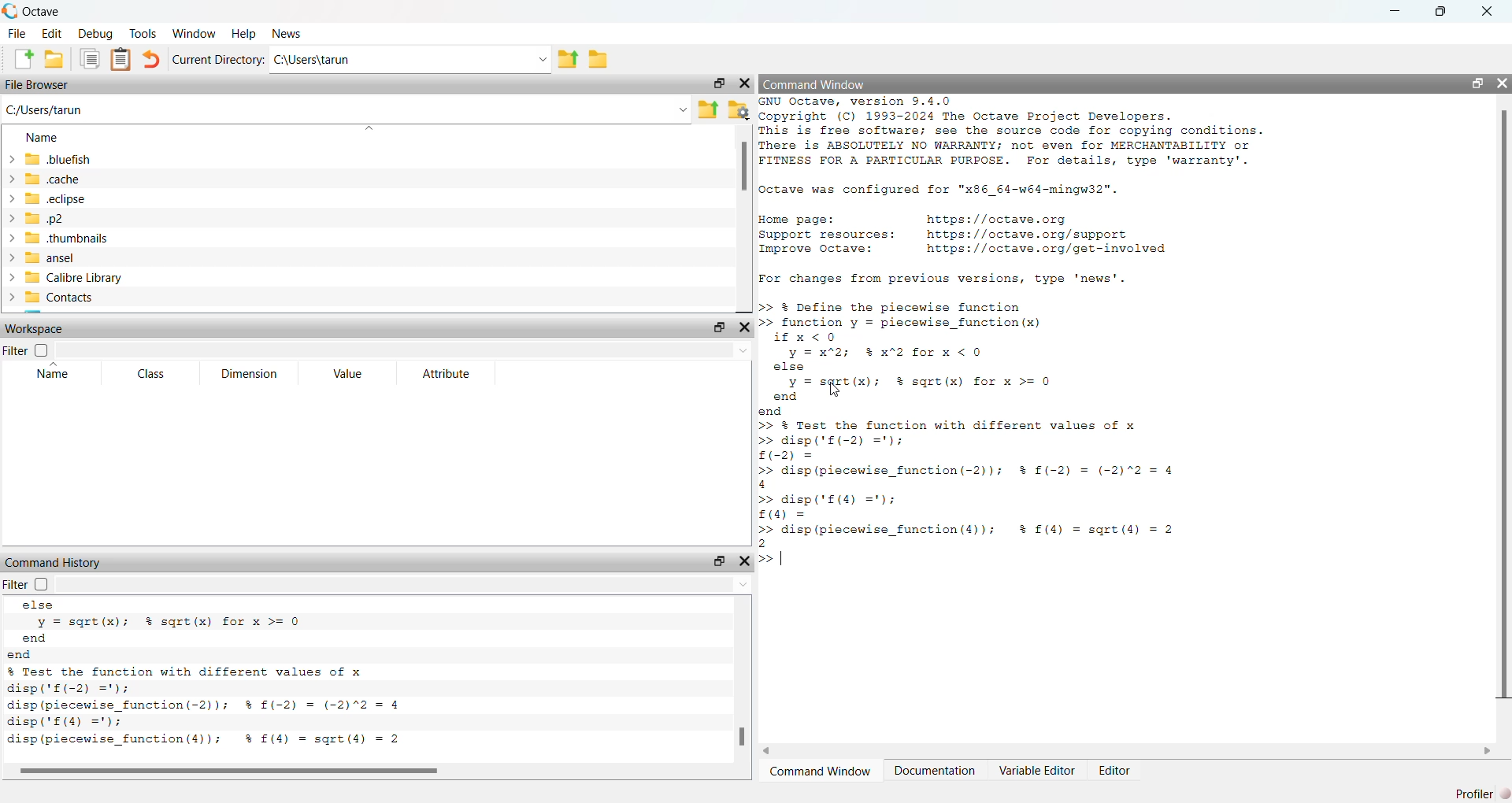 The width and height of the screenshot is (1512, 803). What do you see at coordinates (55, 58) in the screenshot?
I see `Open an existing file in editor` at bounding box center [55, 58].